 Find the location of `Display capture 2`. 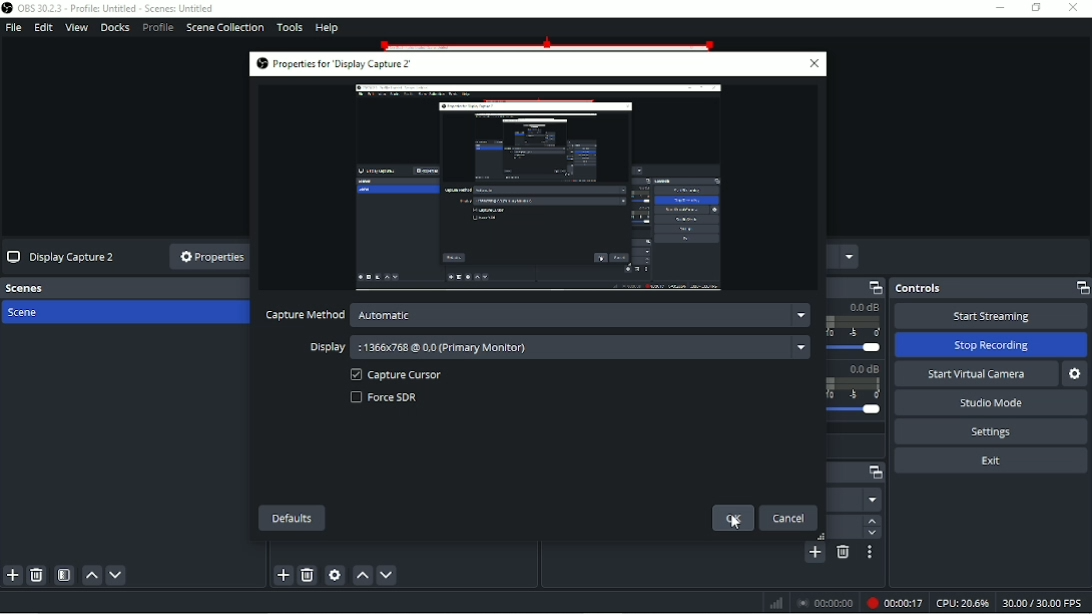

Display capture 2 is located at coordinates (60, 256).